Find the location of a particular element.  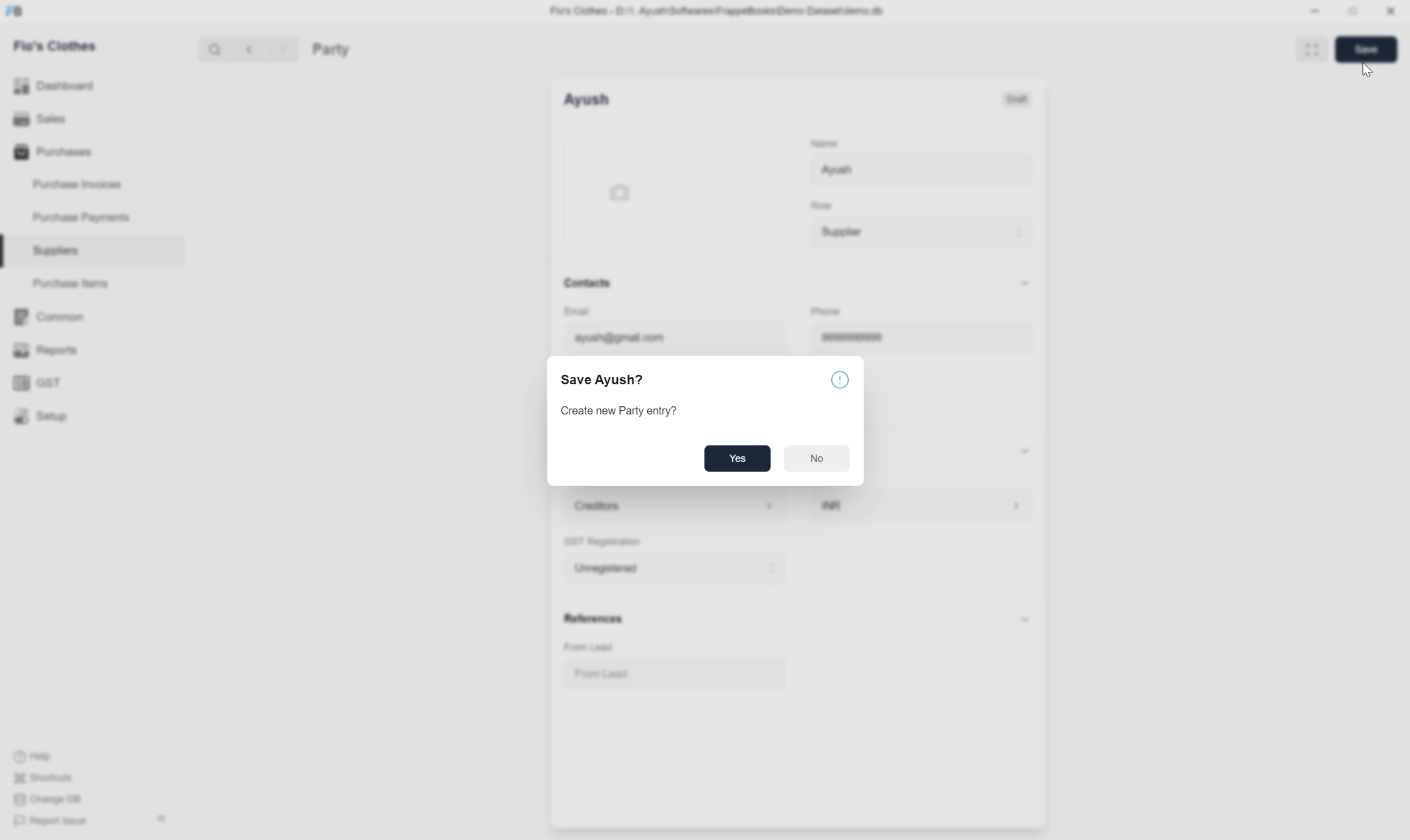

References is located at coordinates (595, 619).